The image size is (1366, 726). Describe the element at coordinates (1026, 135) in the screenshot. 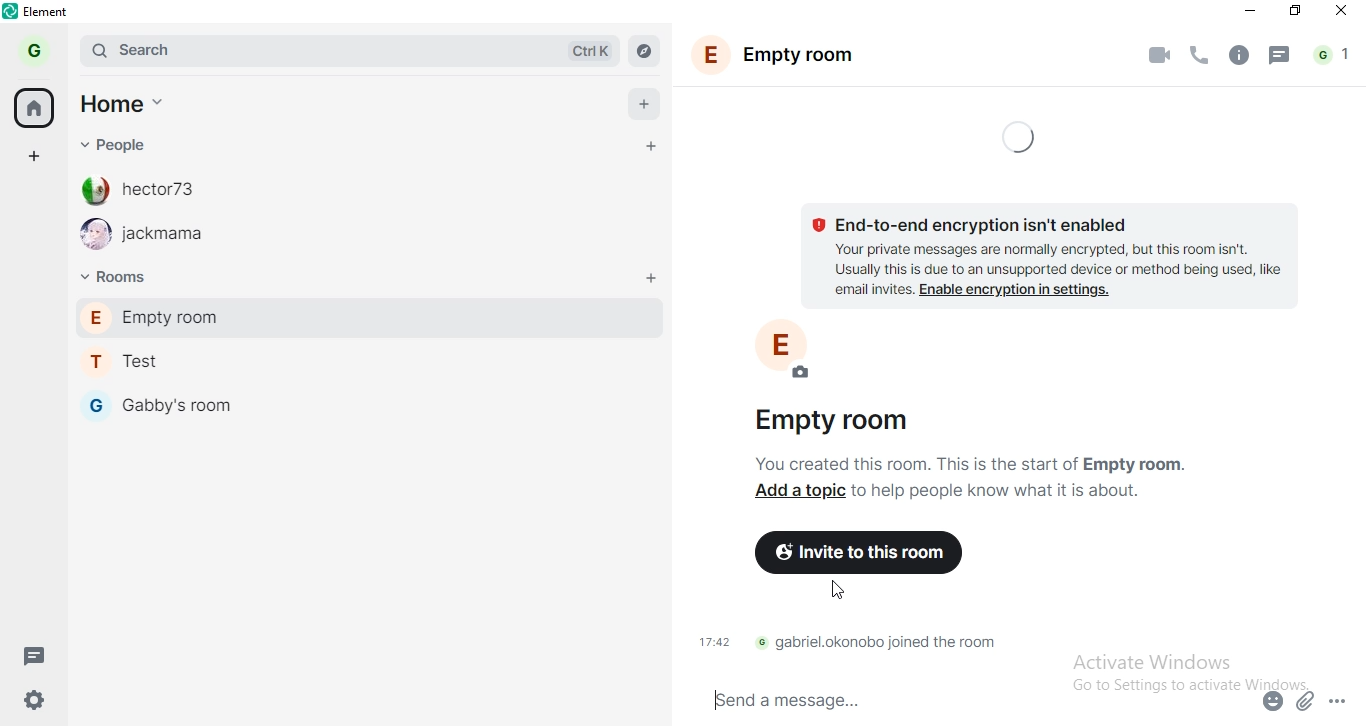

I see `loading` at that location.